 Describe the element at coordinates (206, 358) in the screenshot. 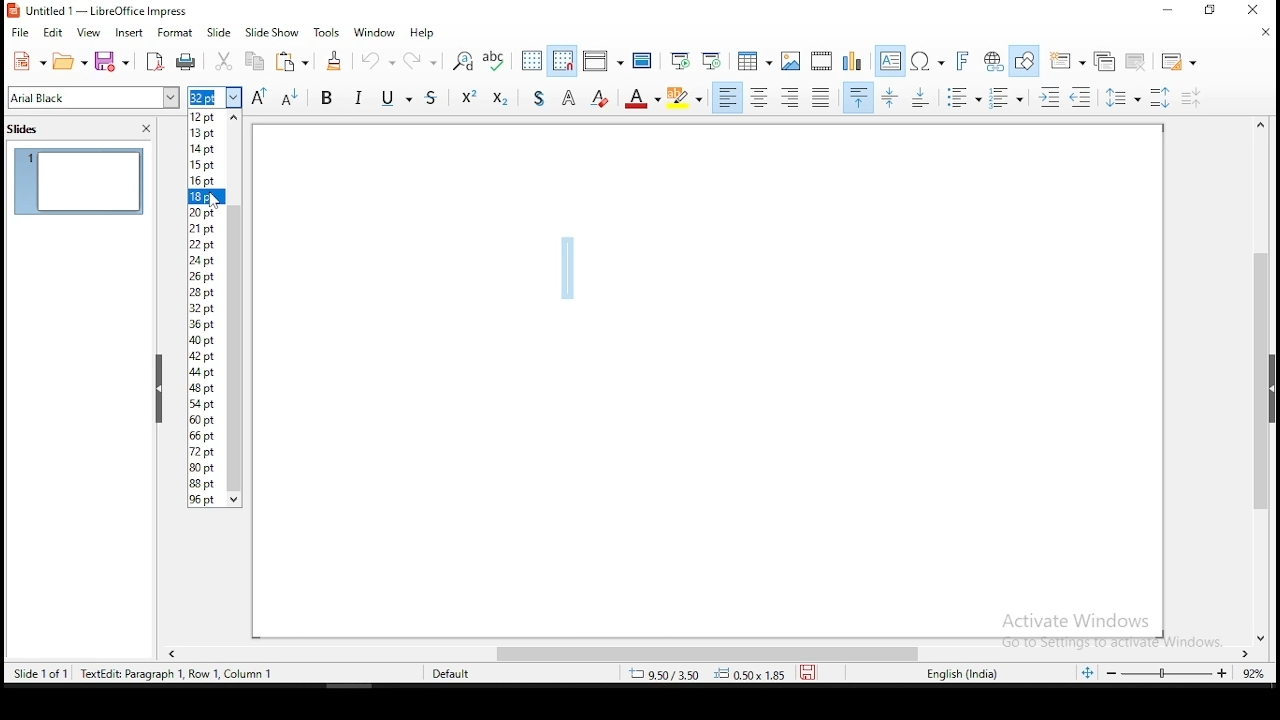

I see `12` at that location.